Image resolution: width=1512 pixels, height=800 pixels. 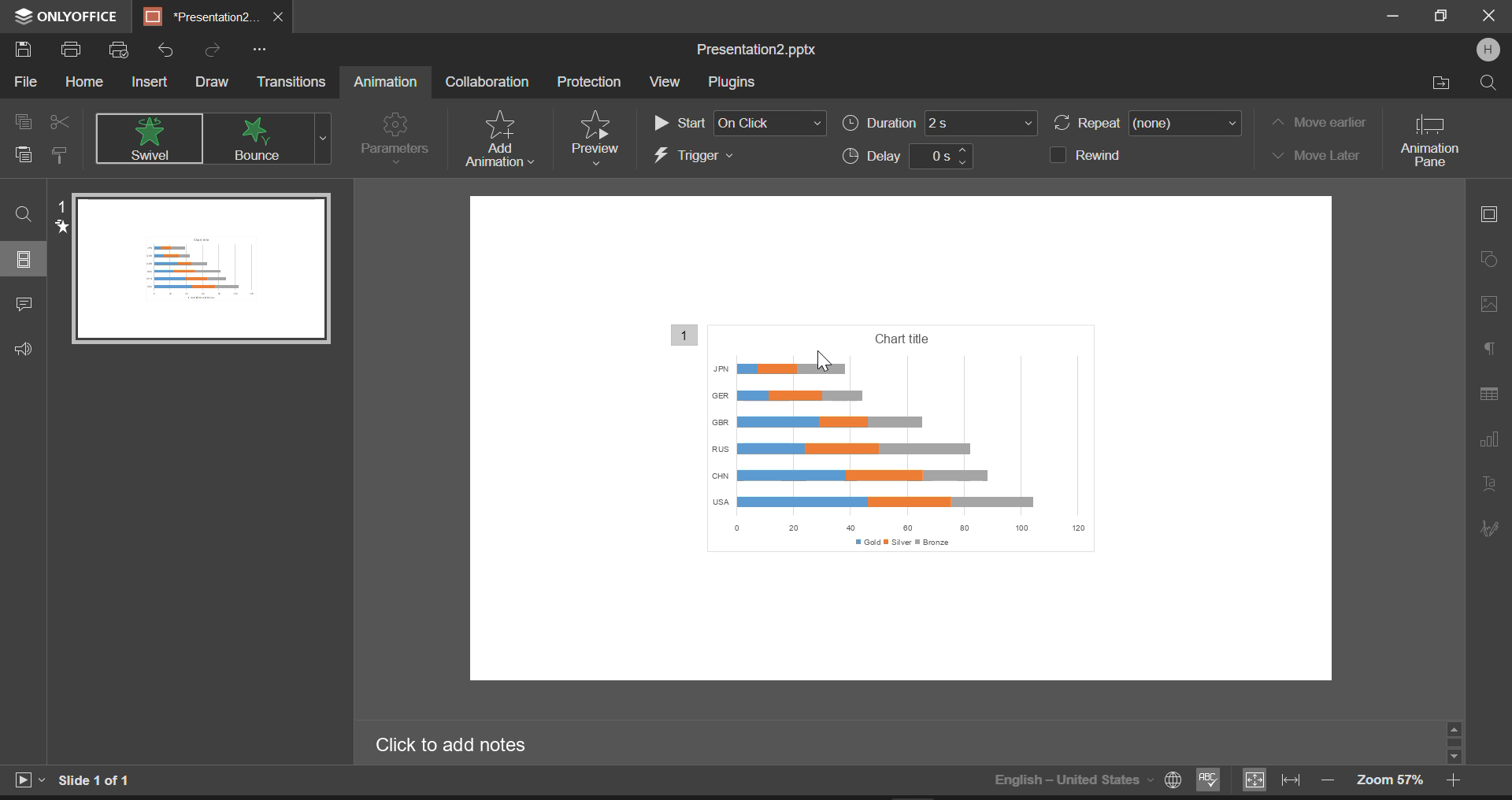 What do you see at coordinates (1148, 124) in the screenshot?
I see `Repeat` at bounding box center [1148, 124].